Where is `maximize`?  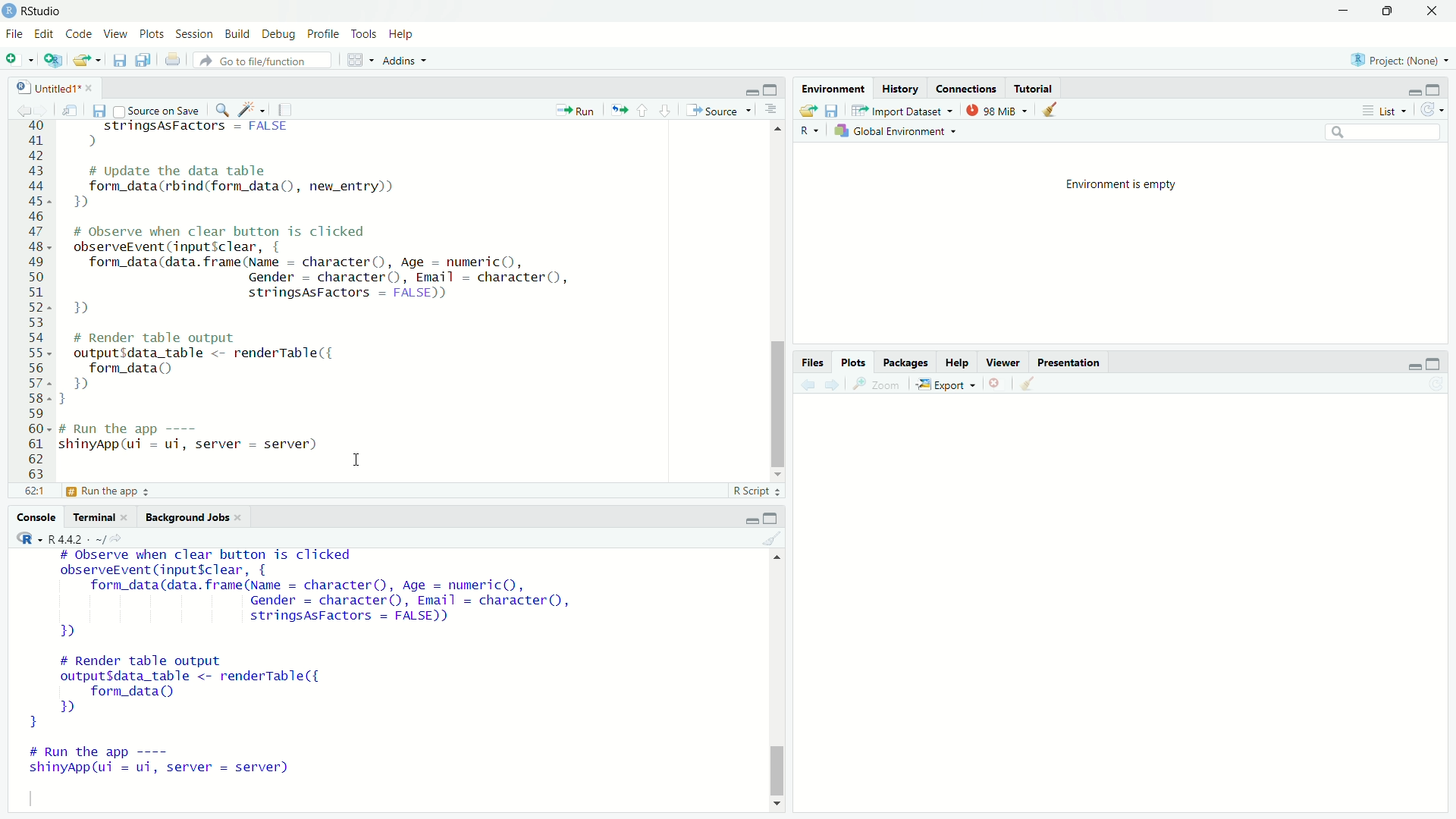
maximize is located at coordinates (1441, 362).